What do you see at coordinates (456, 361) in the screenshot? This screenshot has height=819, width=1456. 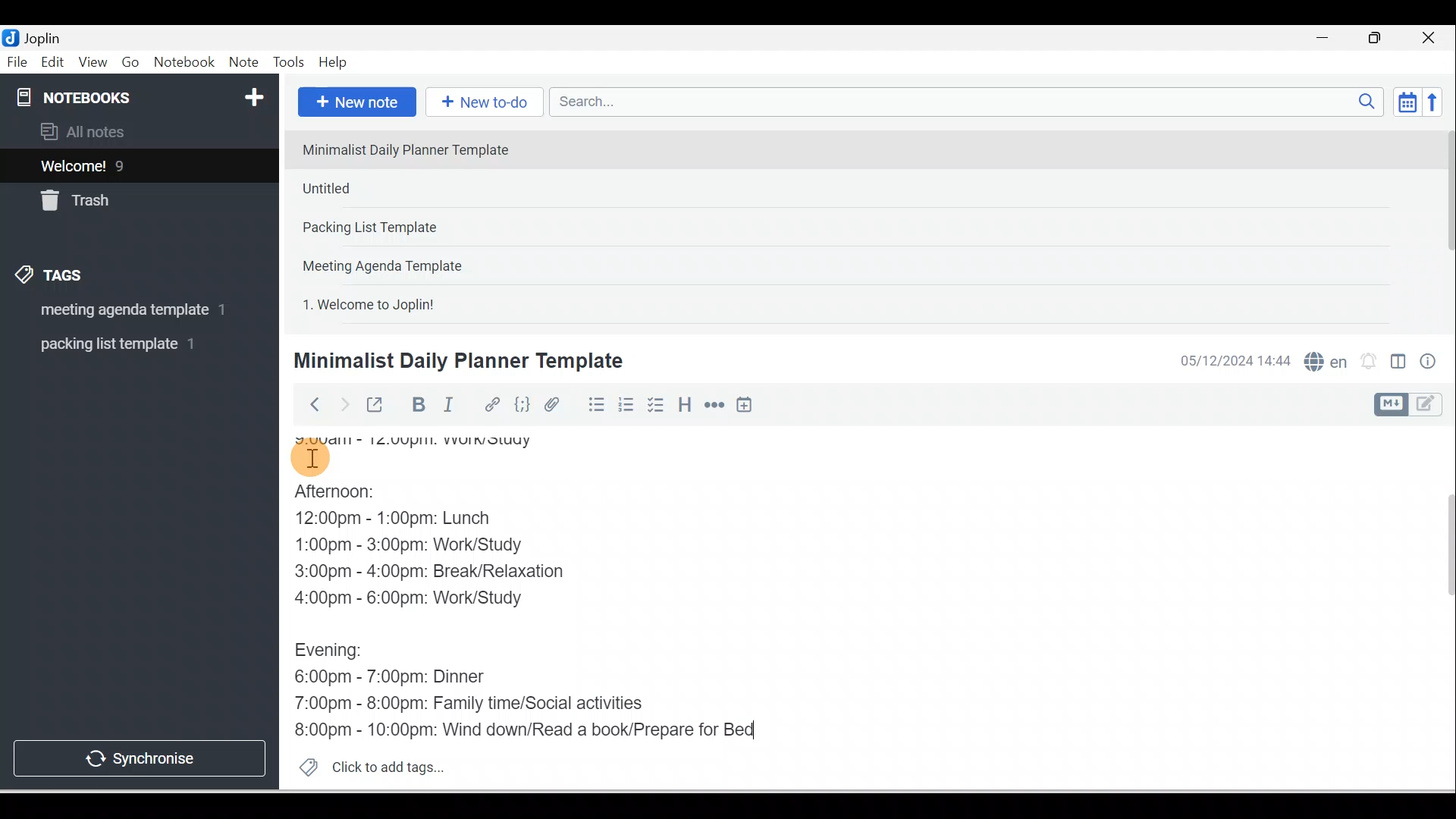 I see `Minimalist Daily Planner Template` at bounding box center [456, 361].